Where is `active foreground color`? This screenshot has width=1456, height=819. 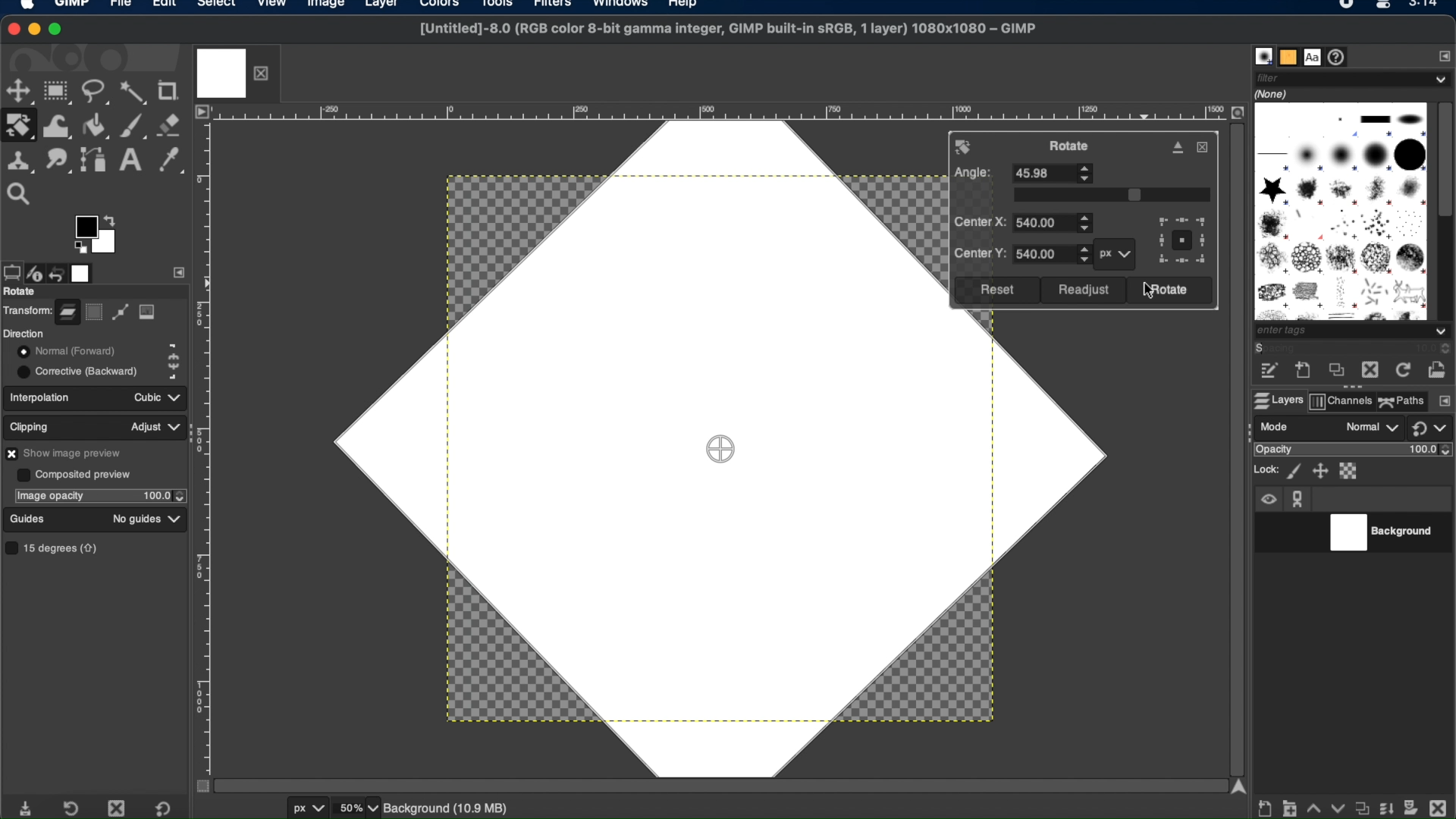 active foreground color is located at coordinates (84, 227).